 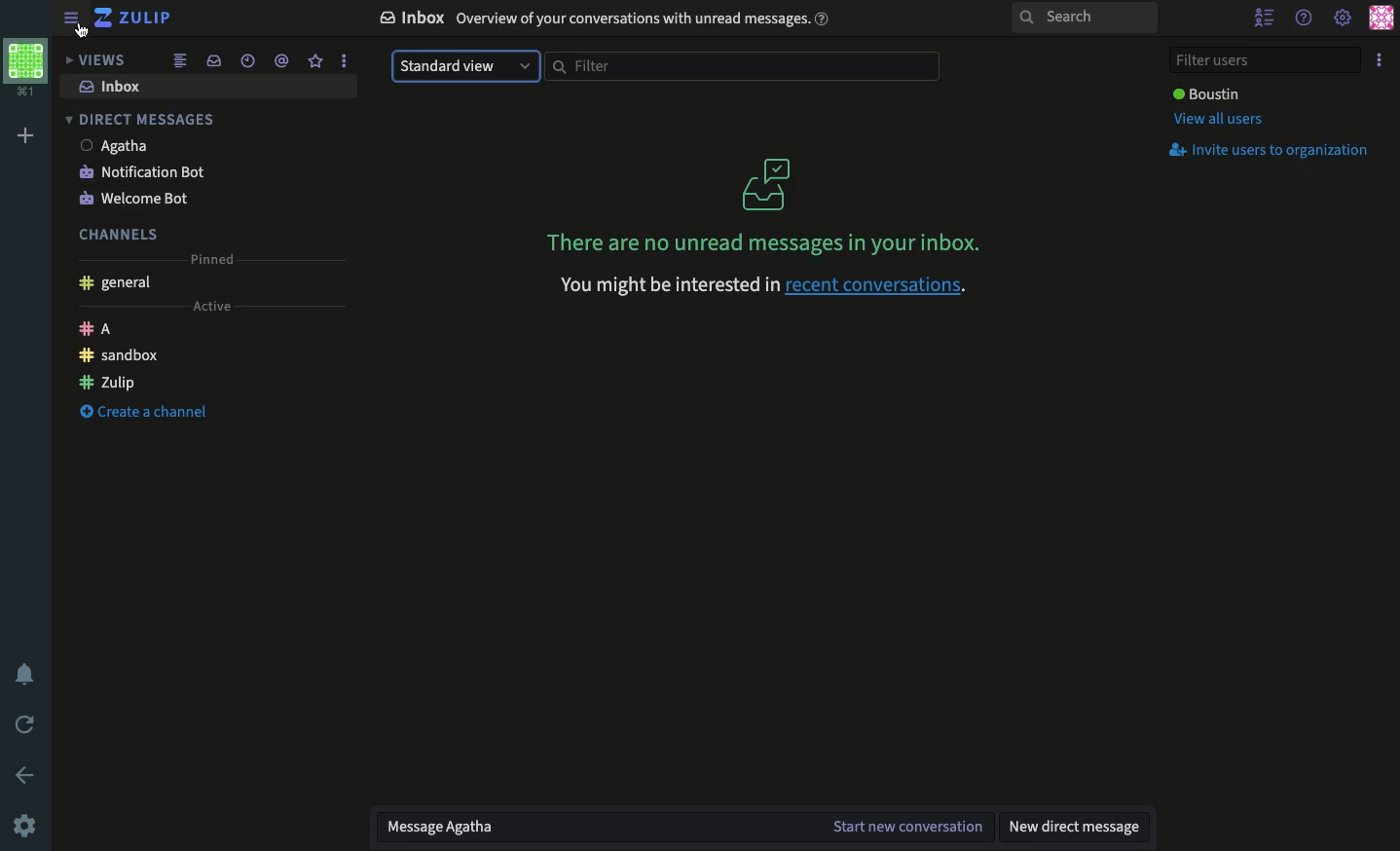 What do you see at coordinates (1305, 18) in the screenshot?
I see `Help` at bounding box center [1305, 18].